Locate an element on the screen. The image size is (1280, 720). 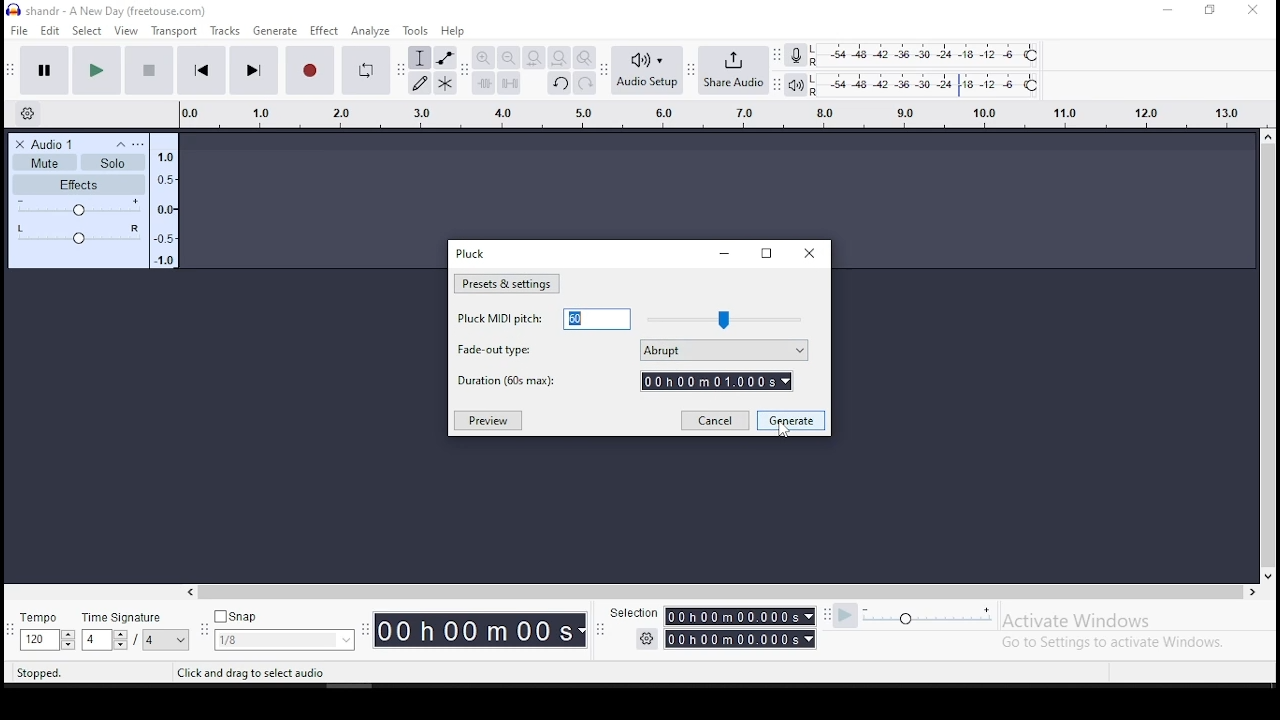
playback meter is located at coordinates (796, 83).